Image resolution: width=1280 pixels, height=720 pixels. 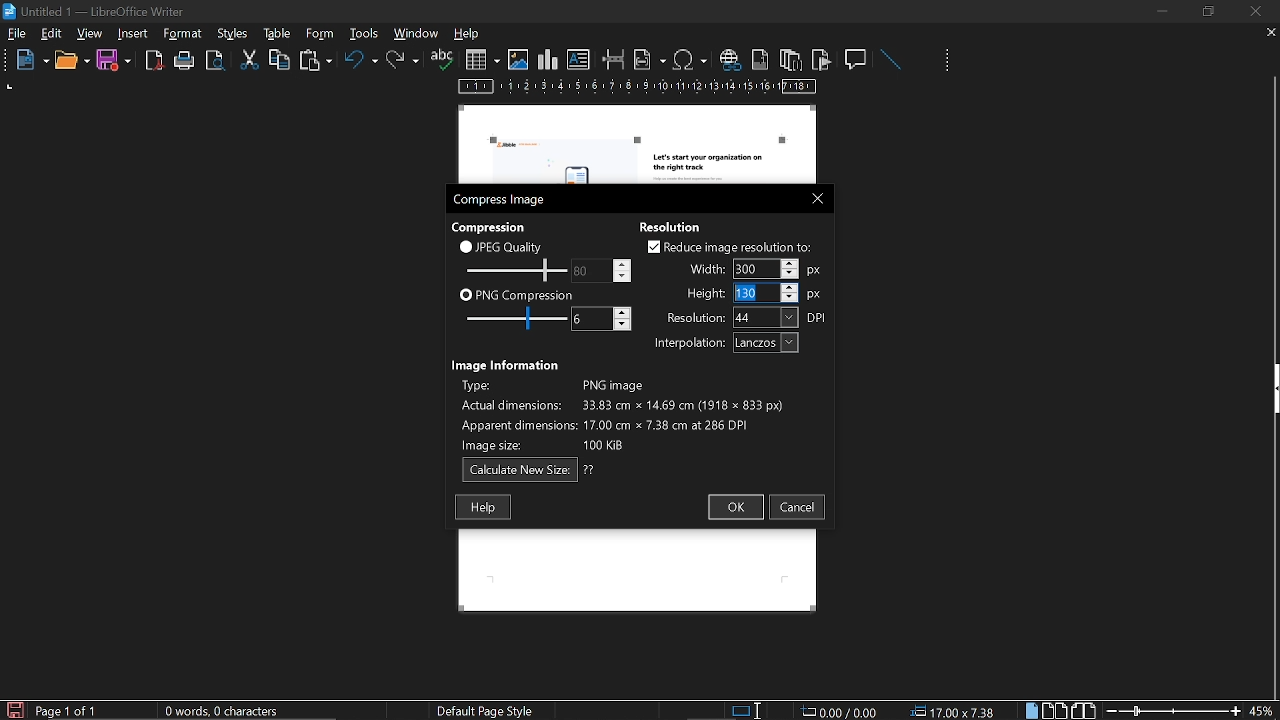 What do you see at coordinates (250, 60) in the screenshot?
I see `cut ` at bounding box center [250, 60].